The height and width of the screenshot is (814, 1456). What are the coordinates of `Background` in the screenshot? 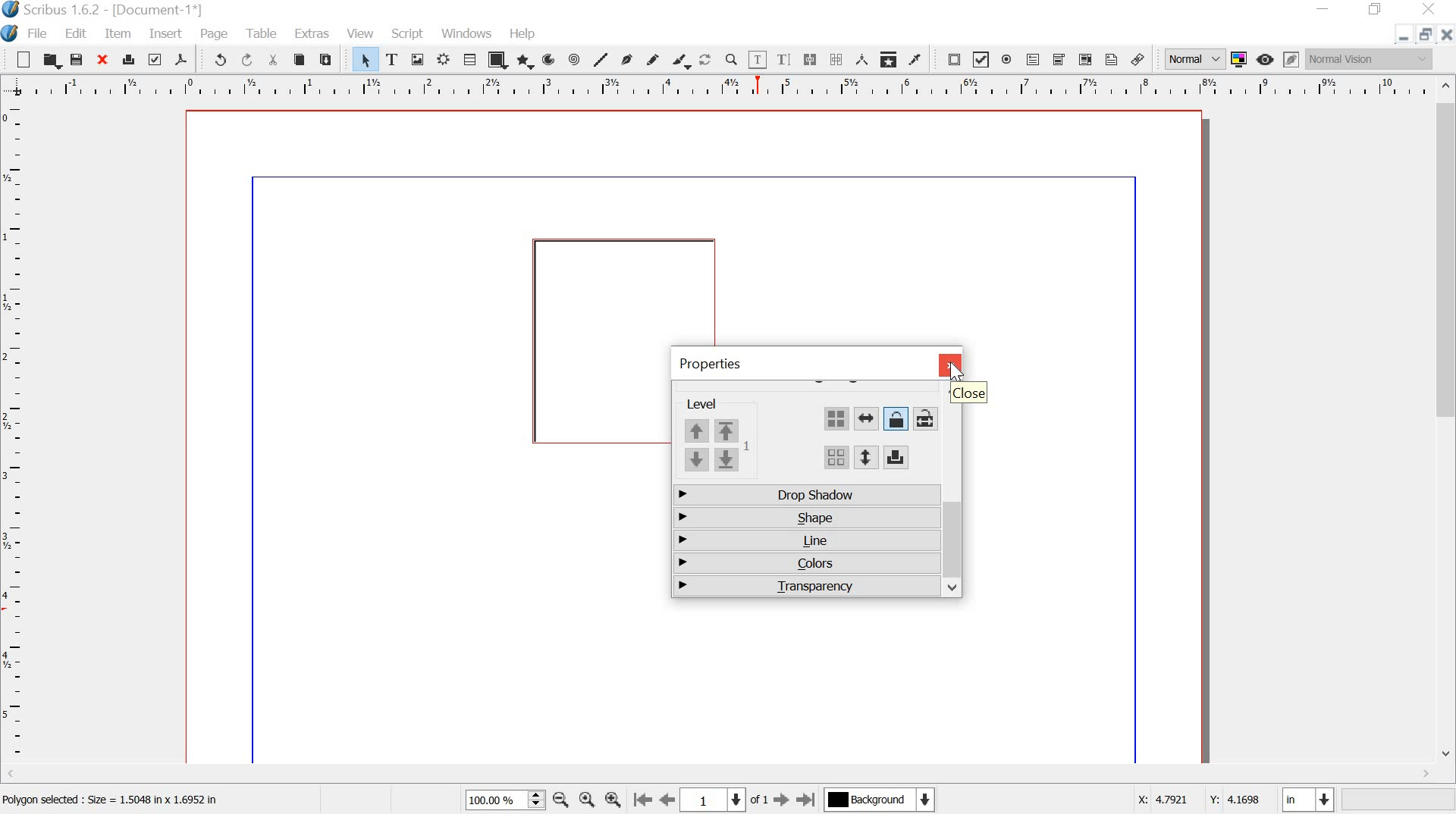 It's located at (882, 801).